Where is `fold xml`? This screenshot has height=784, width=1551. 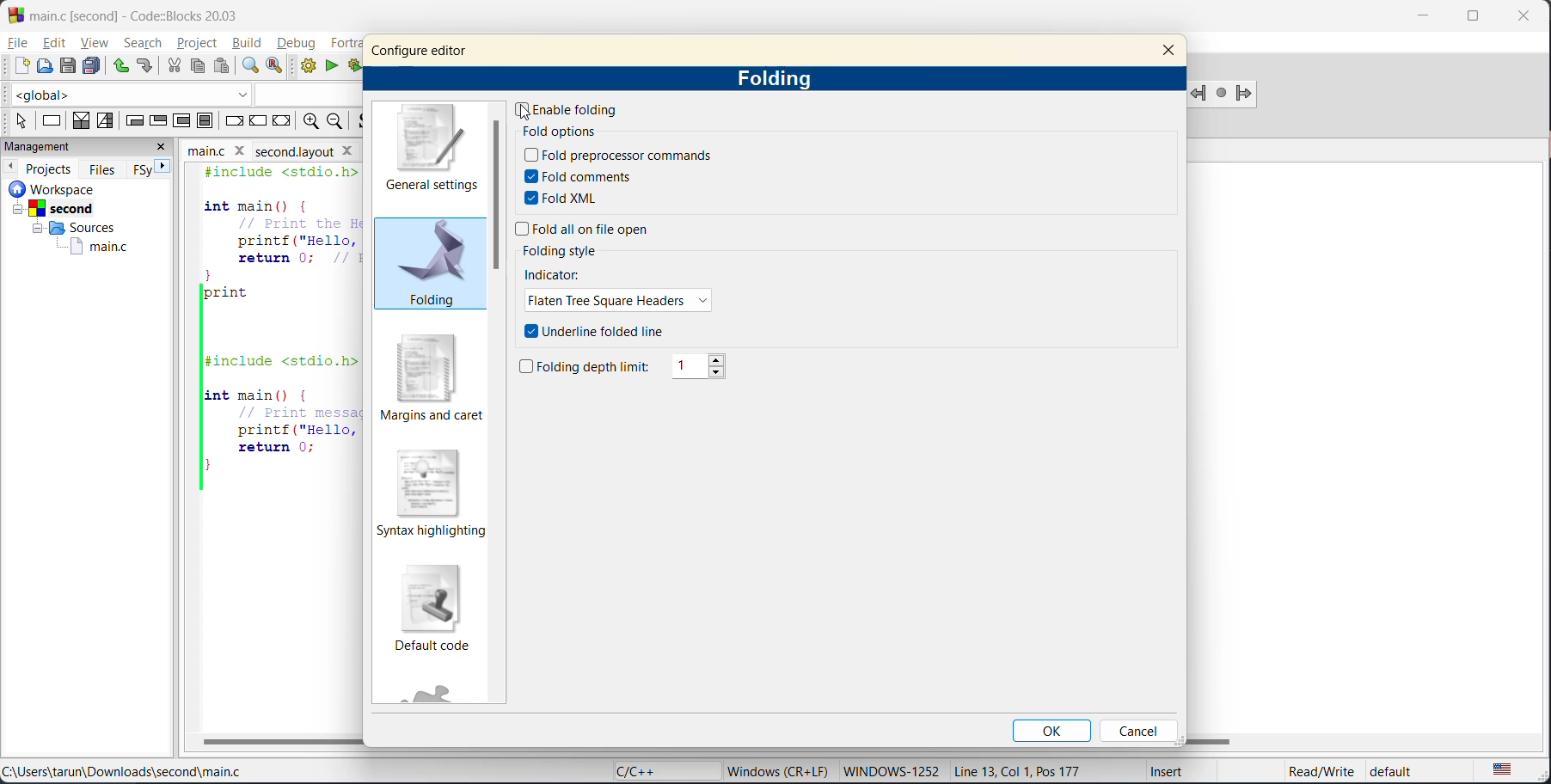
fold xml is located at coordinates (566, 199).